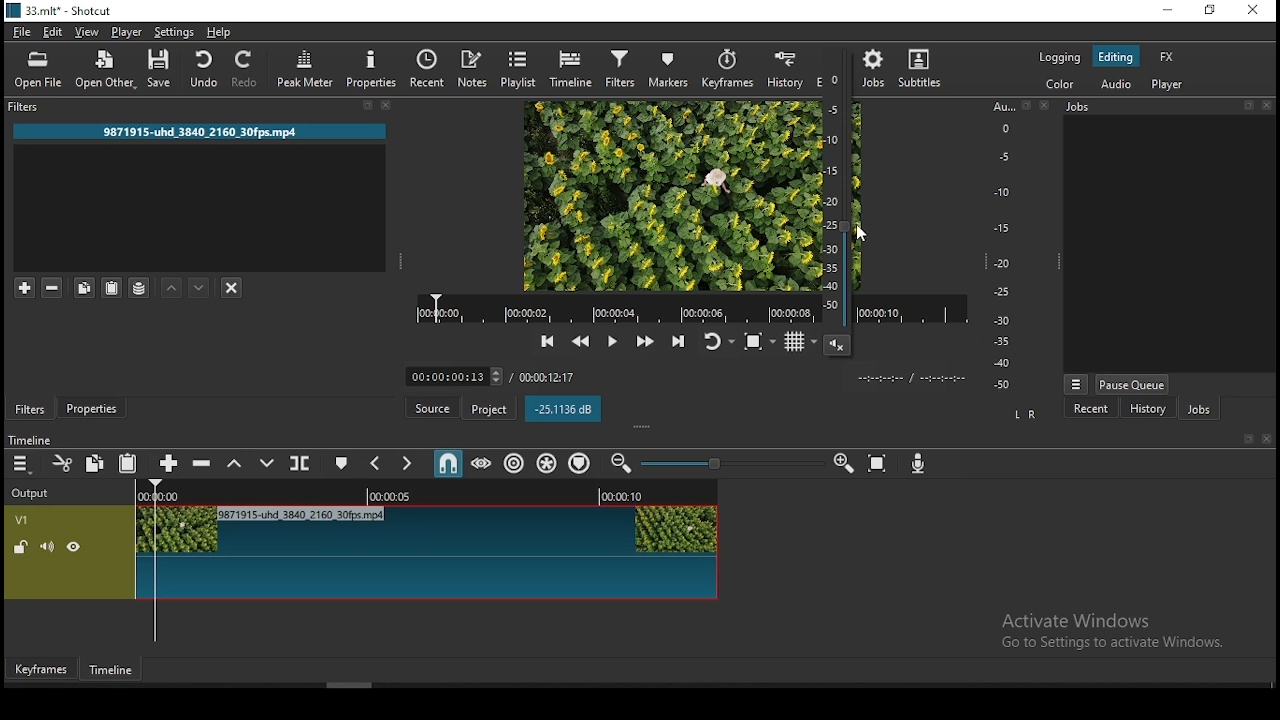 Image resolution: width=1280 pixels, height=720 pixels. Describe the element at coordinates (302, 463) in the screenshot. I see `split at playhead` at that location.